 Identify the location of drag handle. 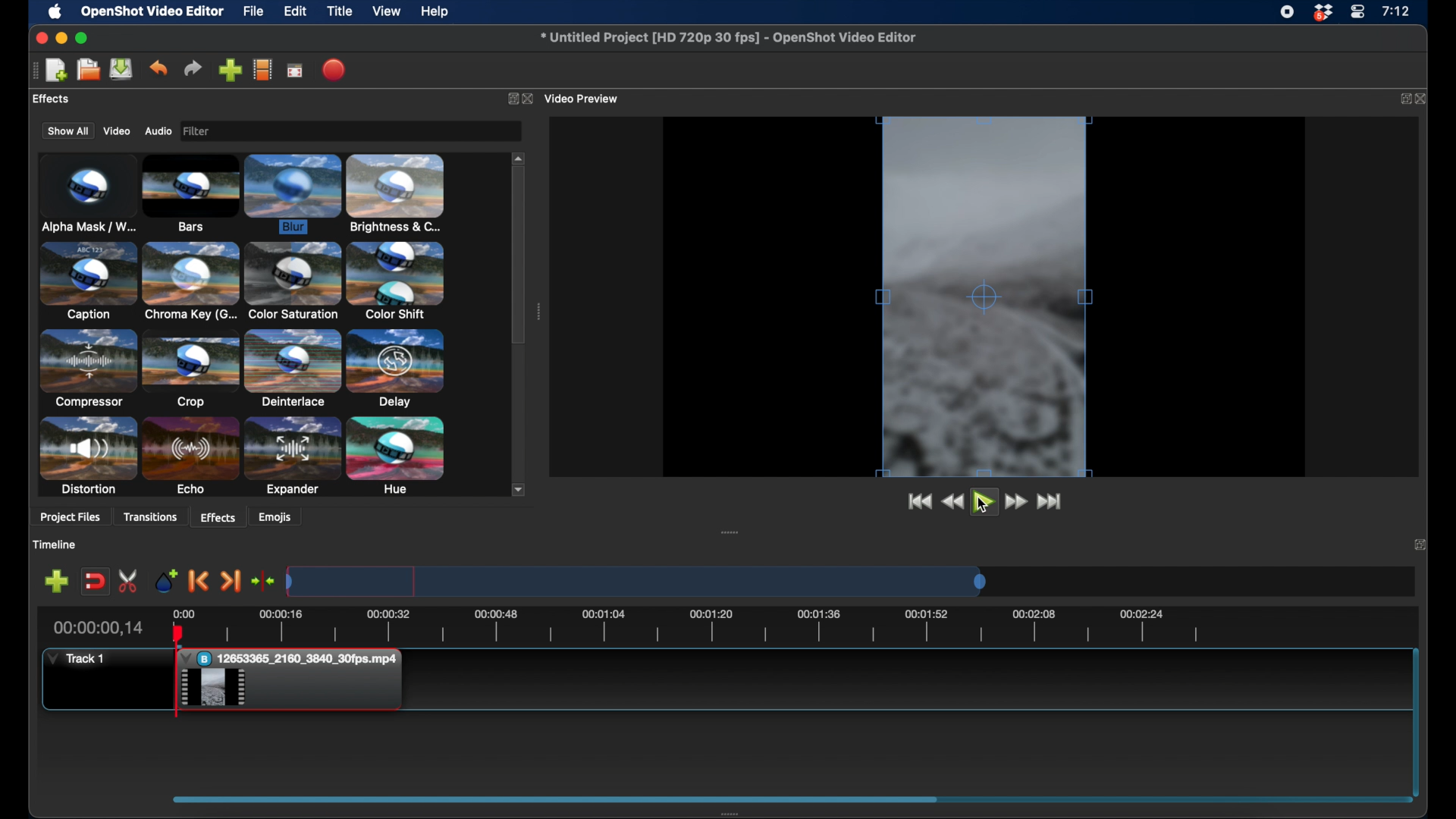
(30, 71).